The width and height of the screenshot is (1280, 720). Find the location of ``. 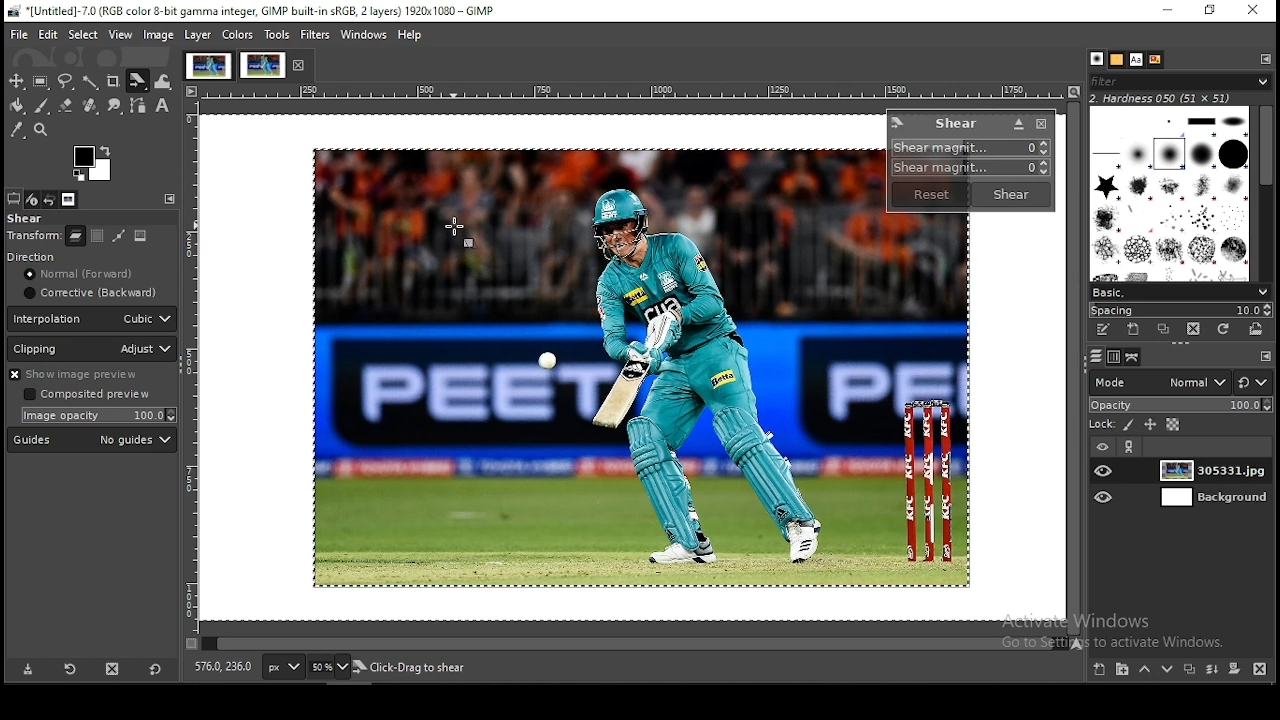

 is located at coordinates (66, 105).